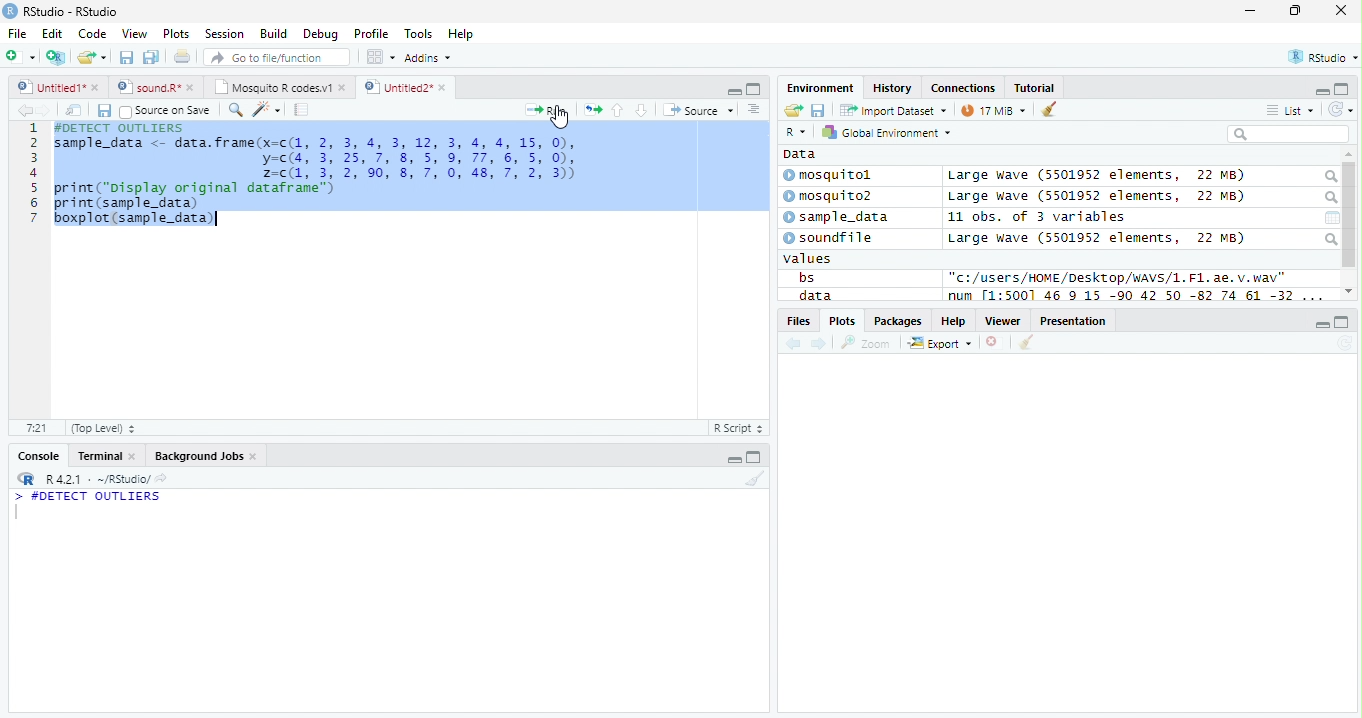 This screenshot has height=718, width=1362. I want to click on clear workspace, so click(753, 479).